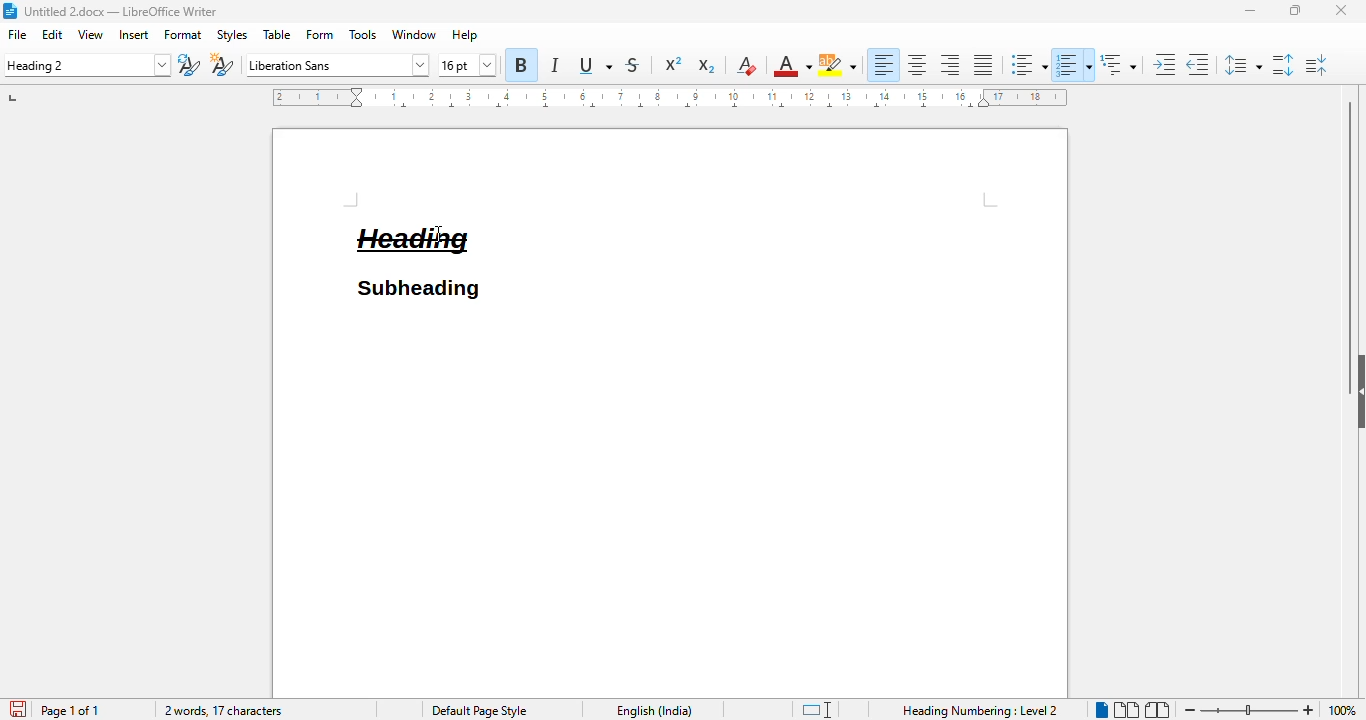 The image size is (1366, 720). I want to click on insert, so click(134, 34).